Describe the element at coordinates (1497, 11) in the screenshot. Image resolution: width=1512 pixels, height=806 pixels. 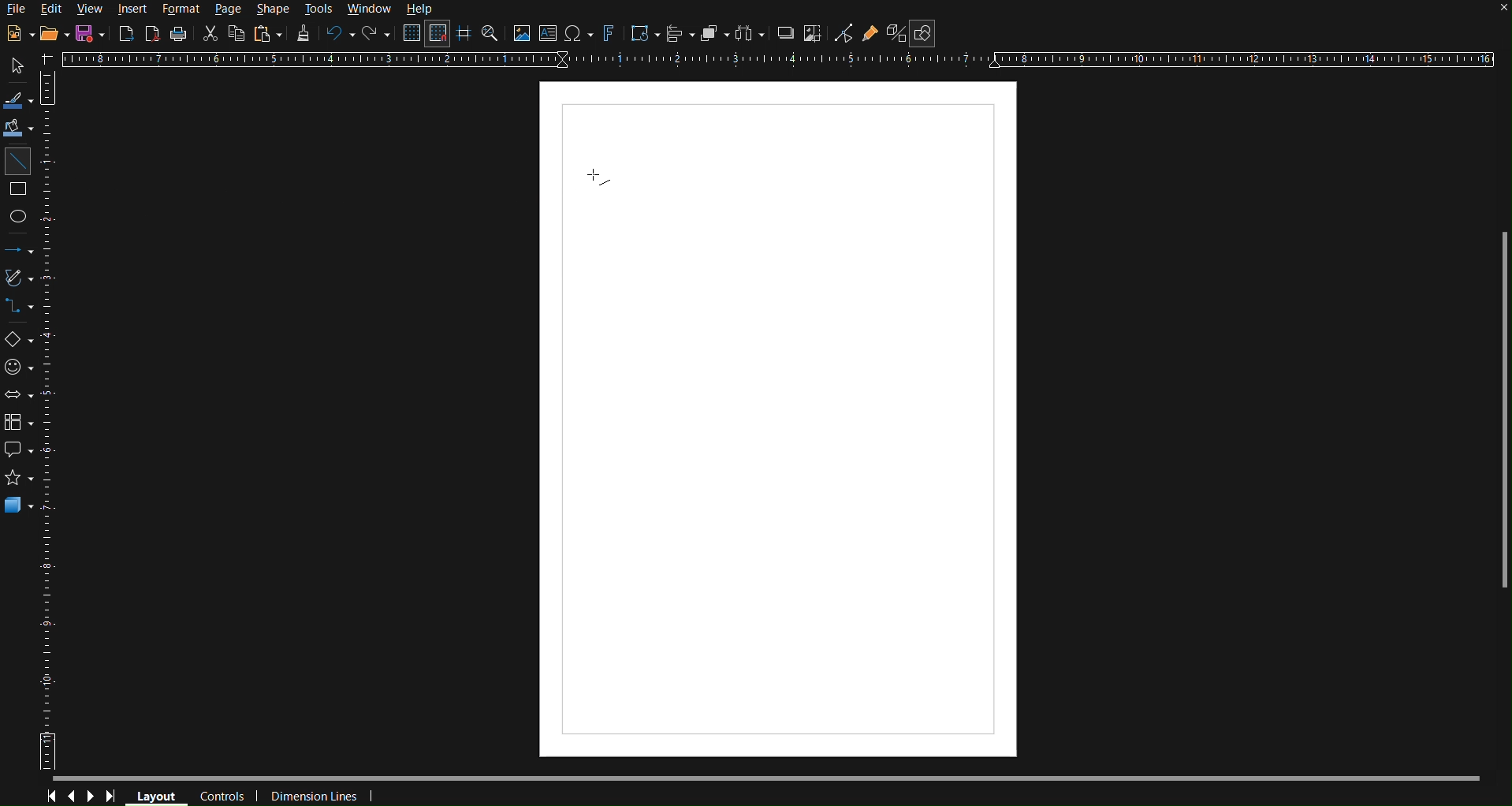
I see `close` at that location.